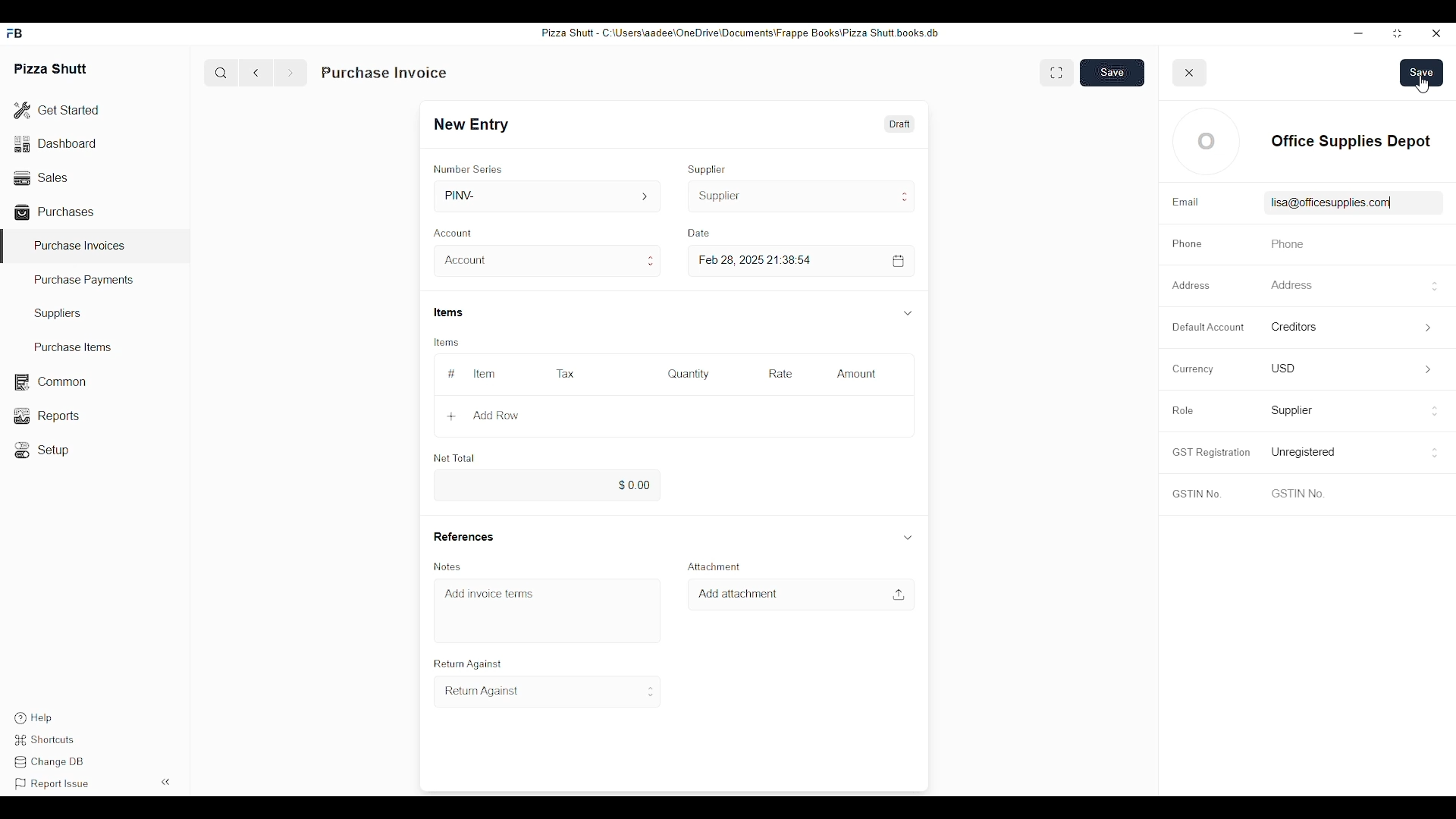 This screenshot has height=819, width=1456. Describe the element at coordinates (1395, 34) in the screenshot. I see `resize` at that location.